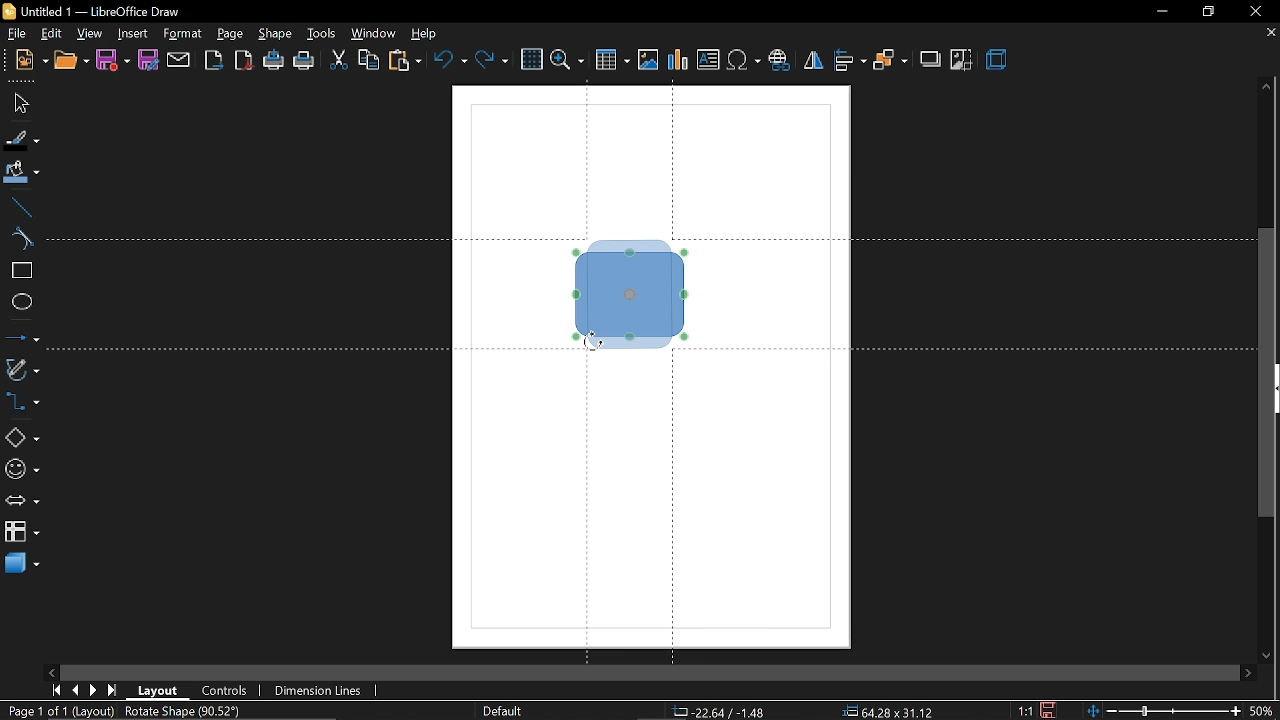 This screenshot has width=1280, height=720. I want to click on align, so click(851, 62).